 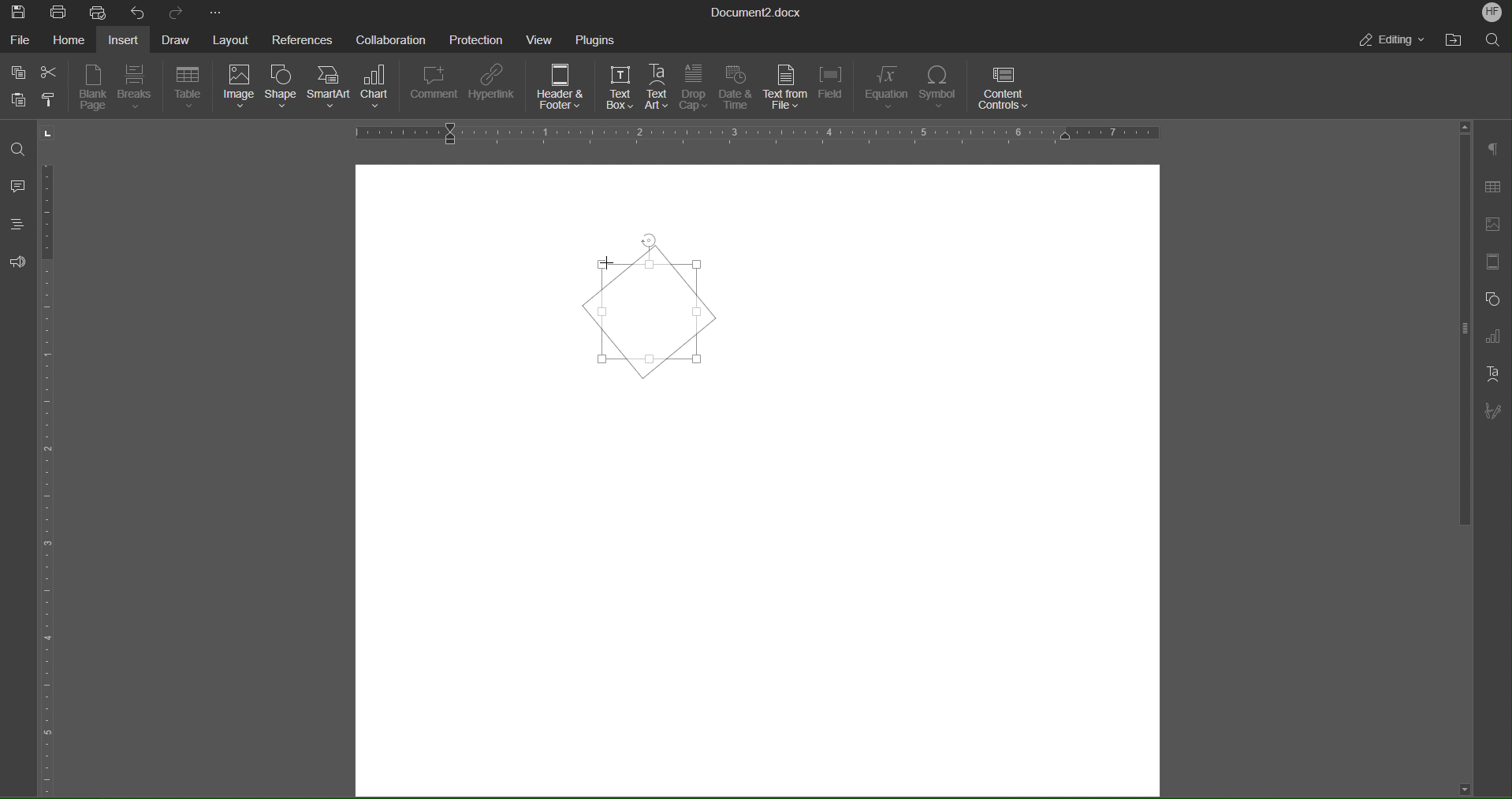 I want to click on Symbol, so click(x=940, y=88).